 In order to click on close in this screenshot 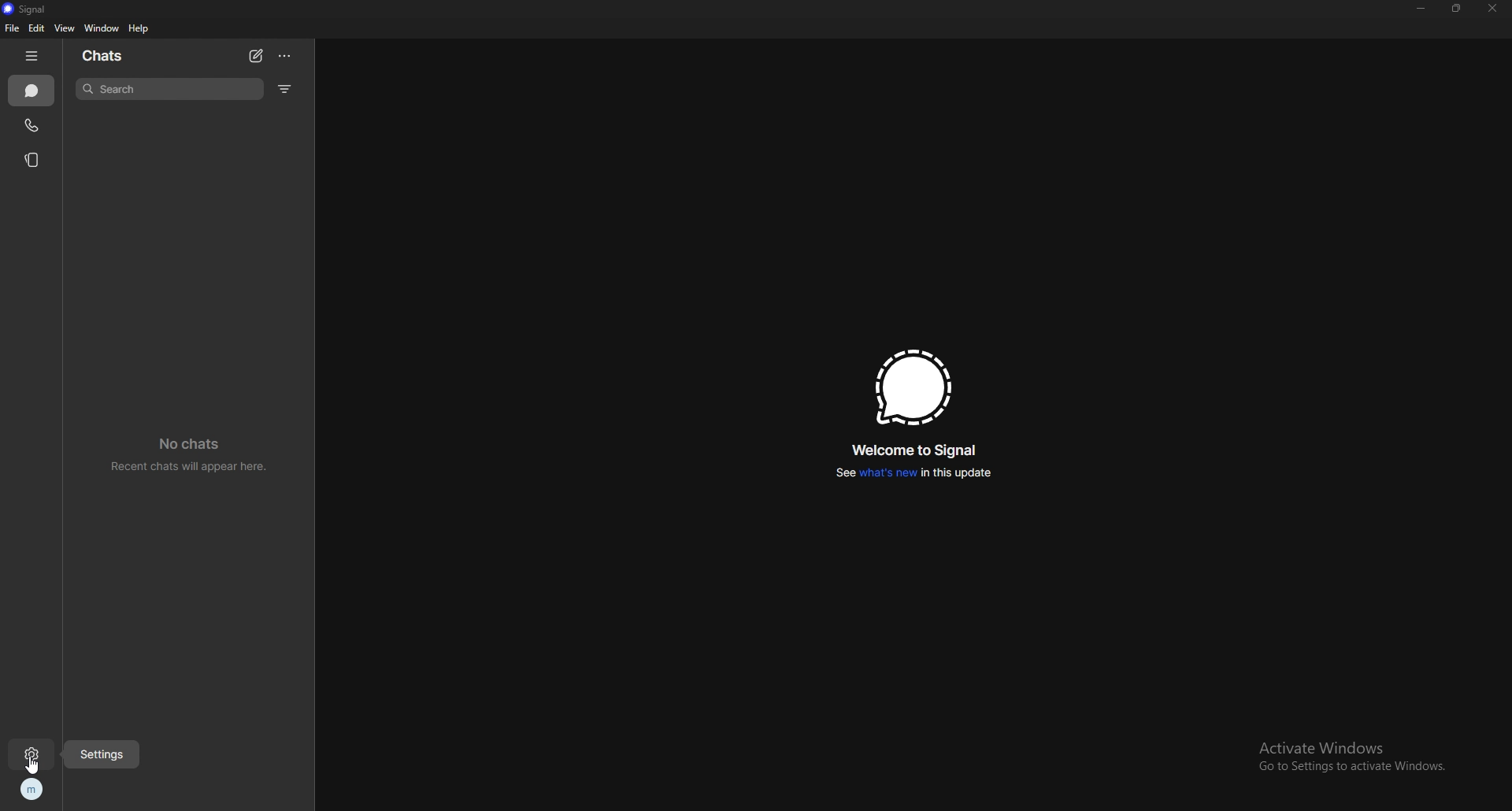, I will do `click(1491, 9)`.